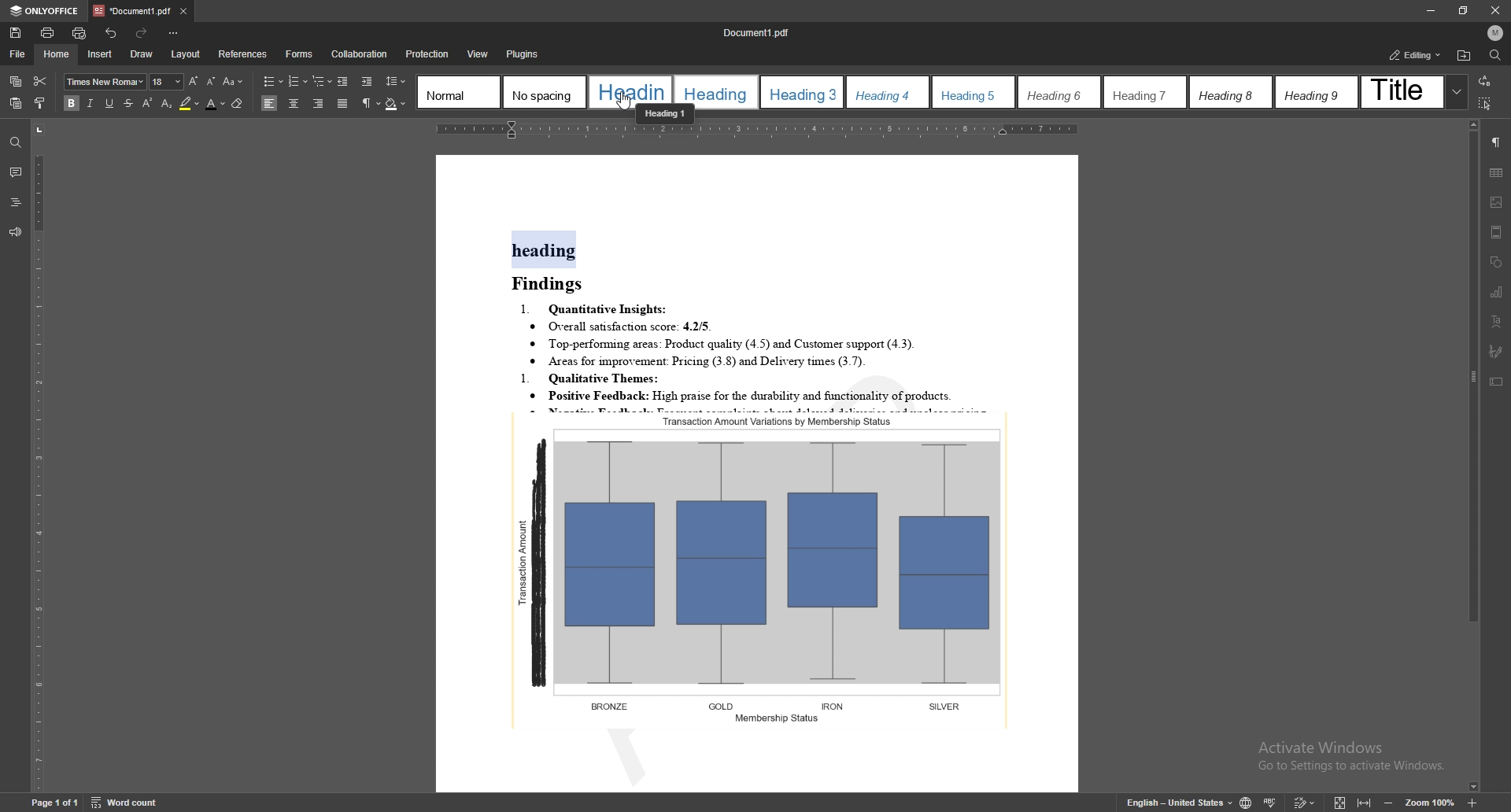  What do you see at coordinates (322, 81) in the screenshot?
I see `multilevel list` at bounding box center [322, 81].